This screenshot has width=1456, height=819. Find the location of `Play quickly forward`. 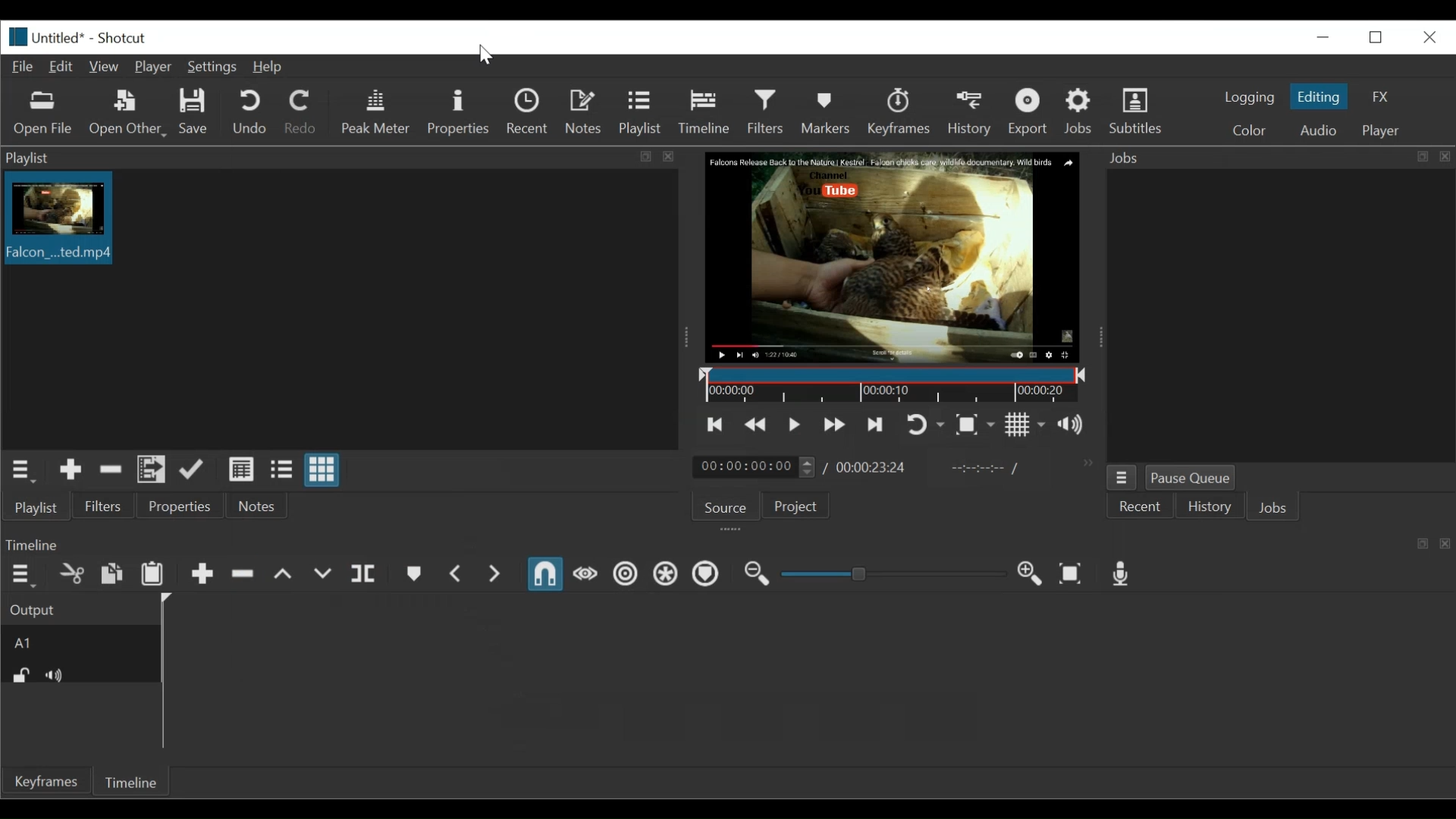

Play quickly forward is located at coordinates (834, 425).